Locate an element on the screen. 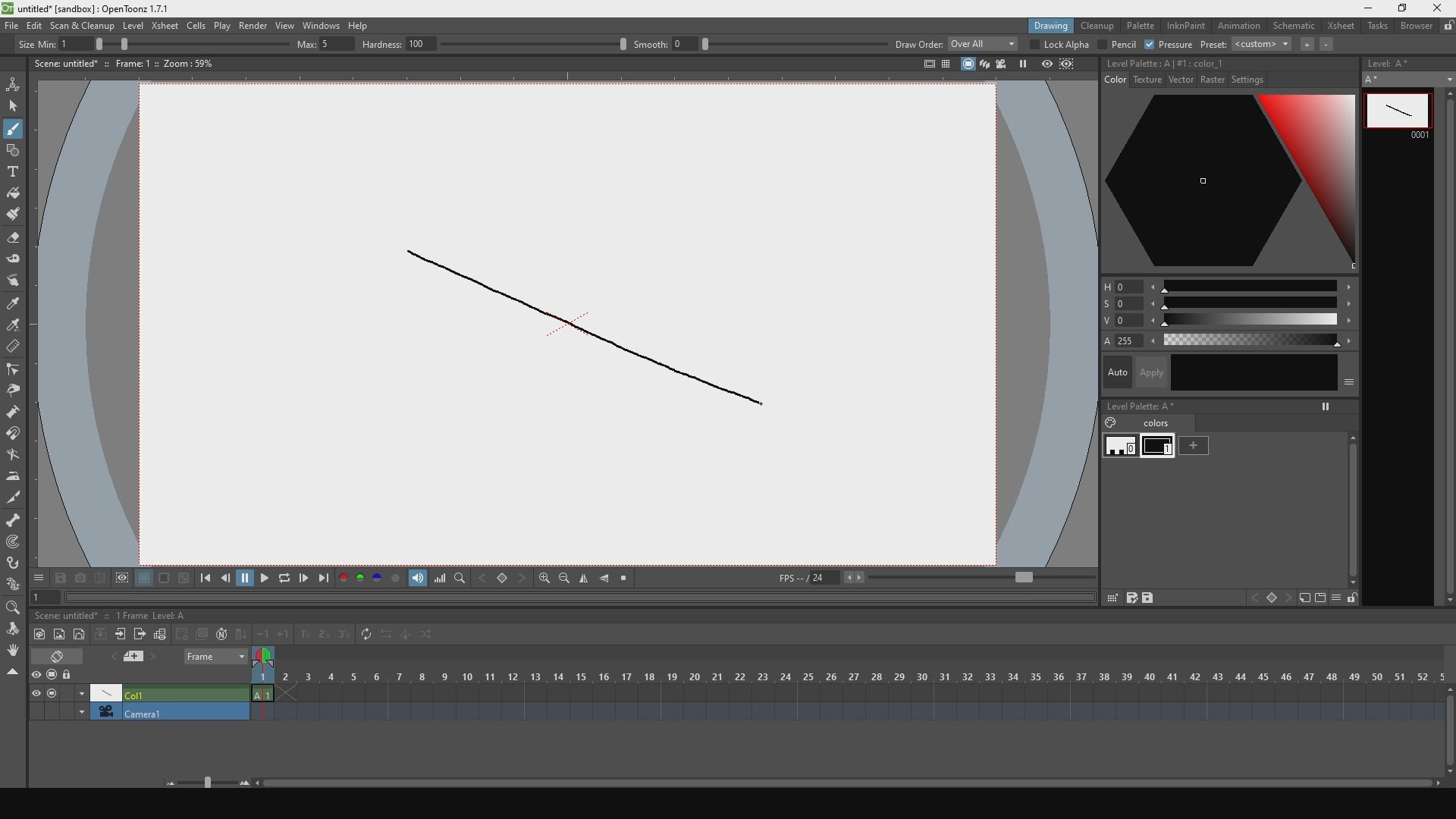  xsheet is located at coordinates (1342, 27).